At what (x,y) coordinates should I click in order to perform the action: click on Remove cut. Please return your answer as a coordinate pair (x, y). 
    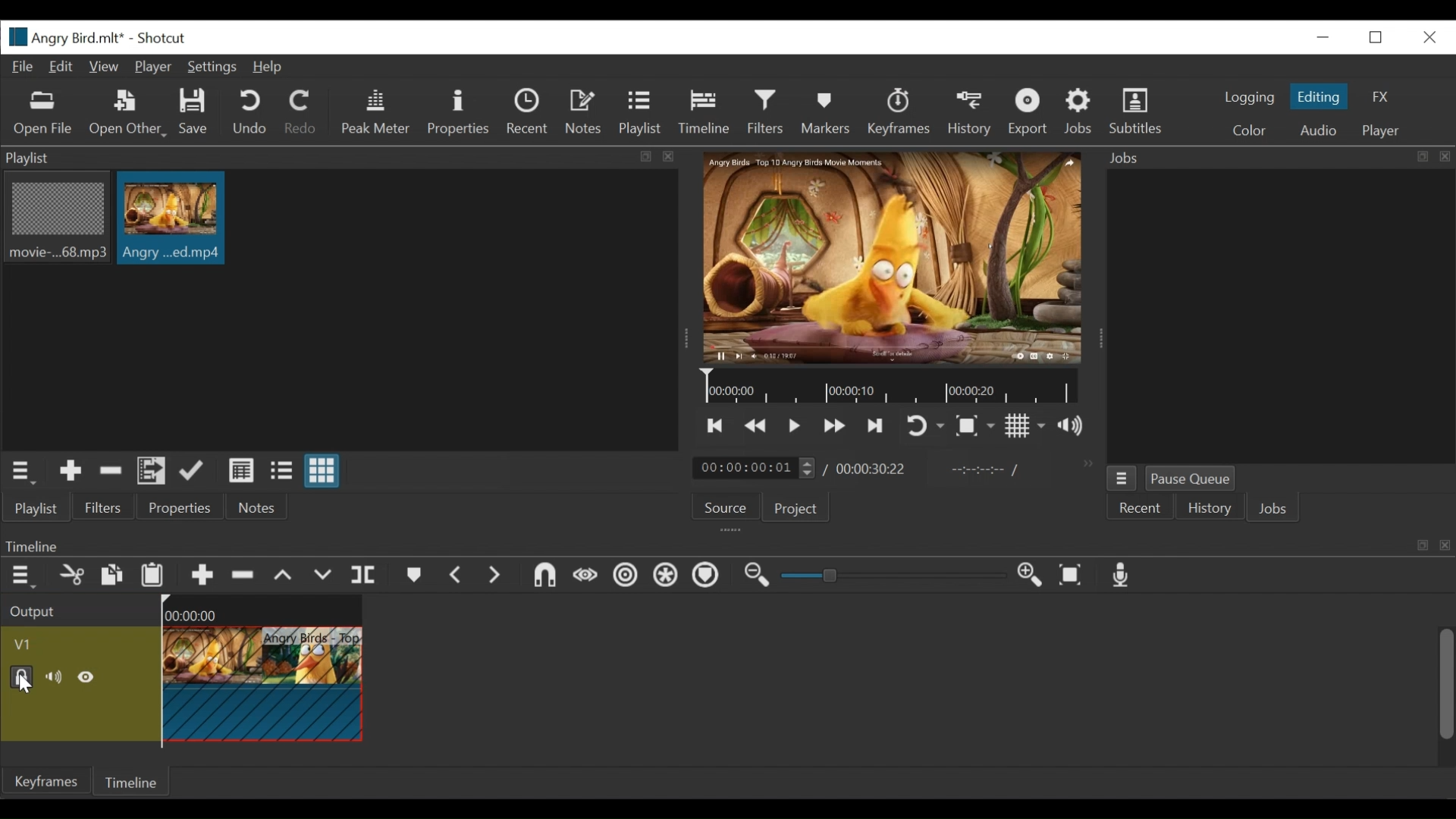
    Looking at the image, I should click on (111, 472).